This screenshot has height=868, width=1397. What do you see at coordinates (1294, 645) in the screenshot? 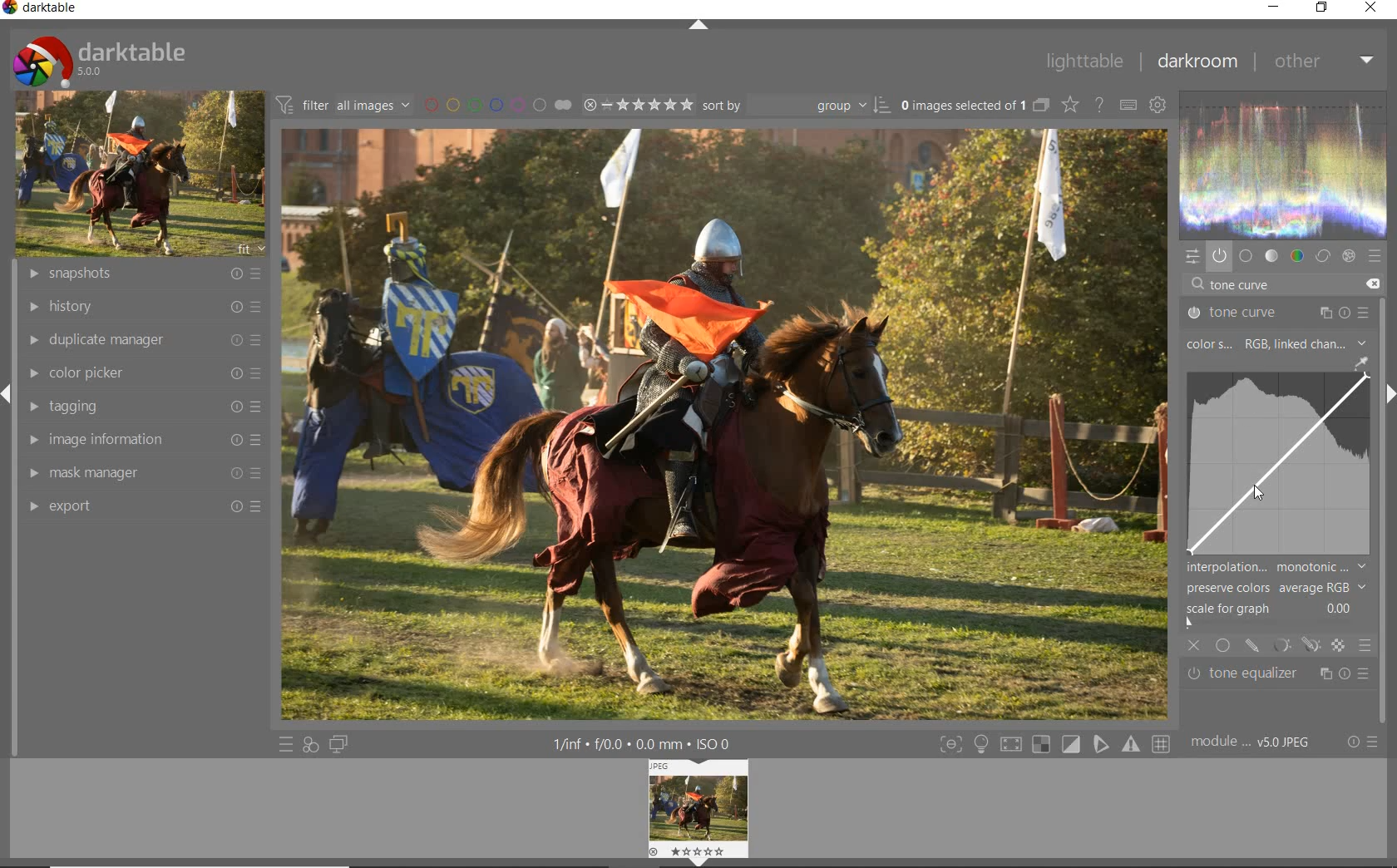
I see `mask options` at bounding box center [1294, 645].